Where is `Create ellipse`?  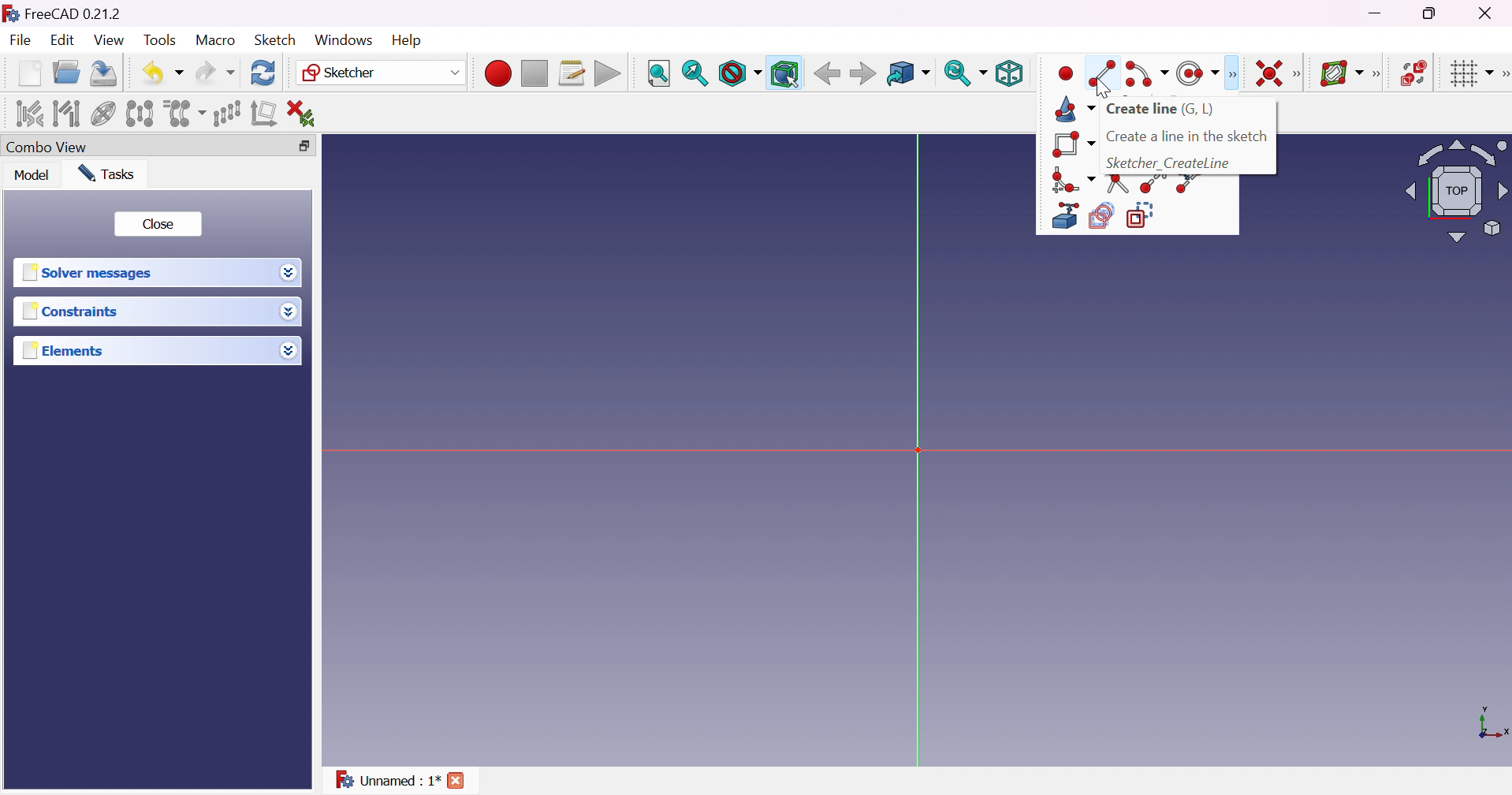
Create ellipse is located at coordinates (1194, 73).